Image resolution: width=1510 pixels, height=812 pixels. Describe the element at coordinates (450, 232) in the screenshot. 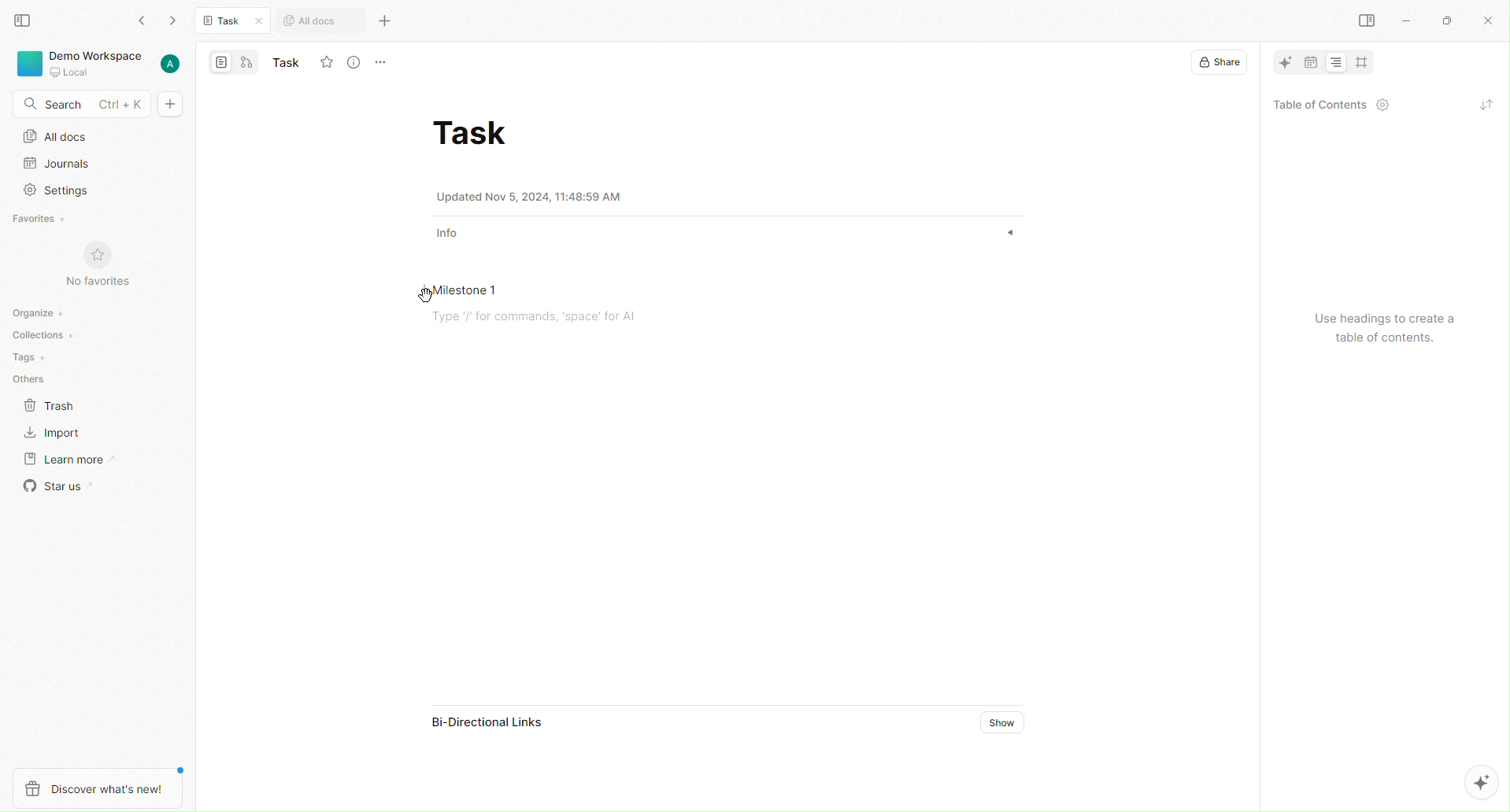

I see `Info` at that location.